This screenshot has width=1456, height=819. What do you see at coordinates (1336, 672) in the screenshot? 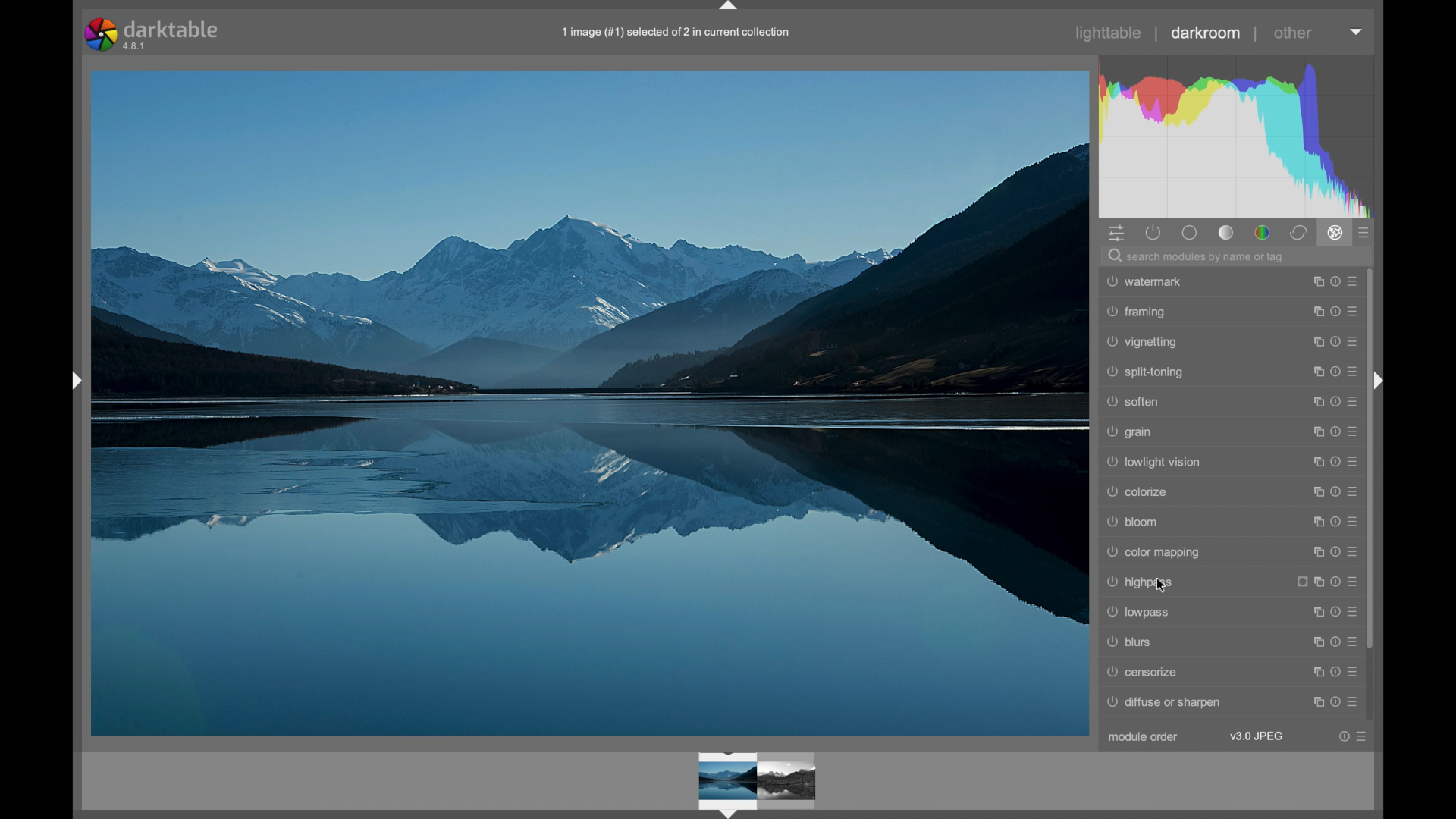
I see `more options` at bounding box center [1336, 672].